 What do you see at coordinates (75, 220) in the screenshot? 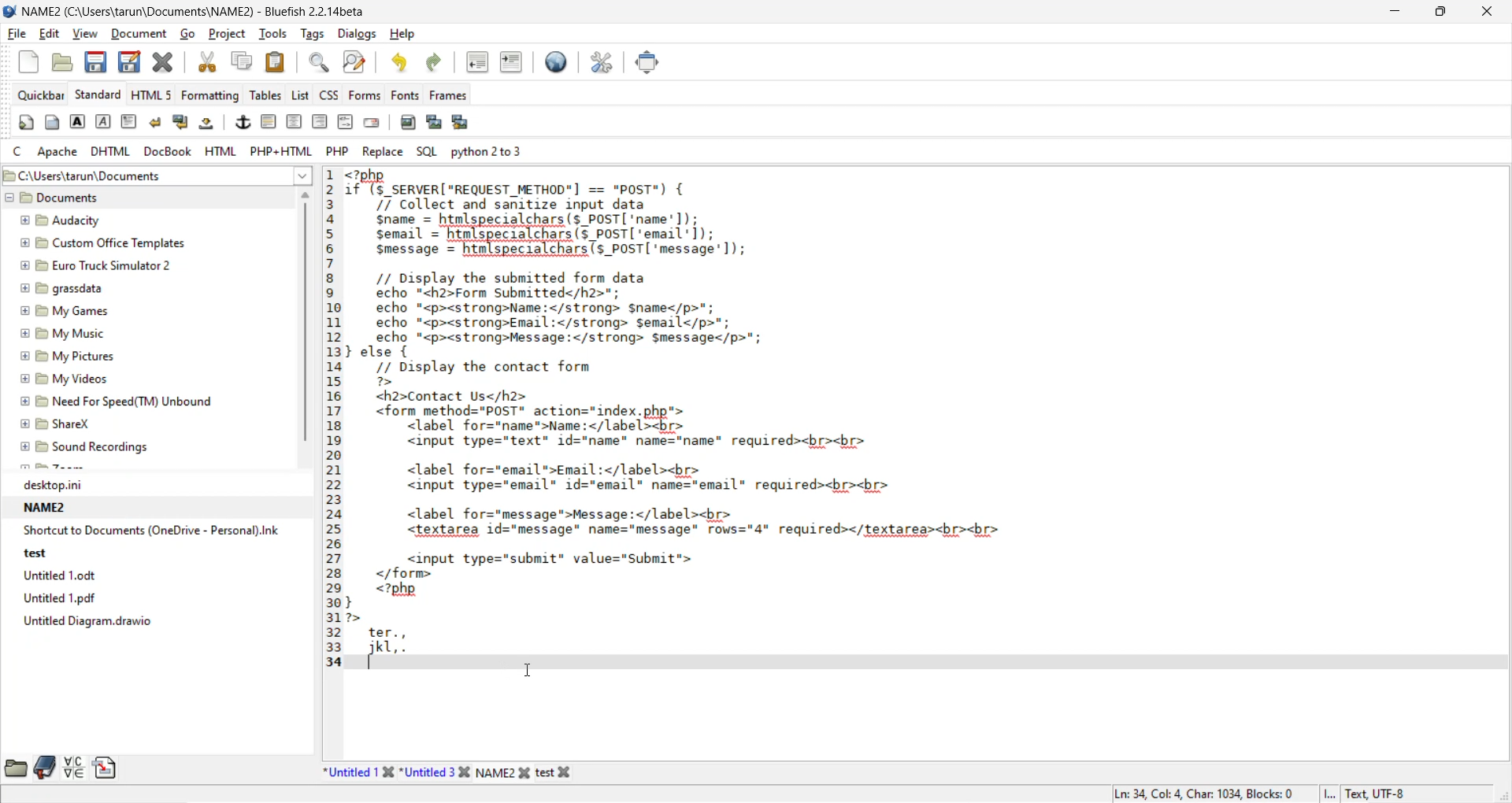
I see `Audacity` at bounding box center [75, 220].